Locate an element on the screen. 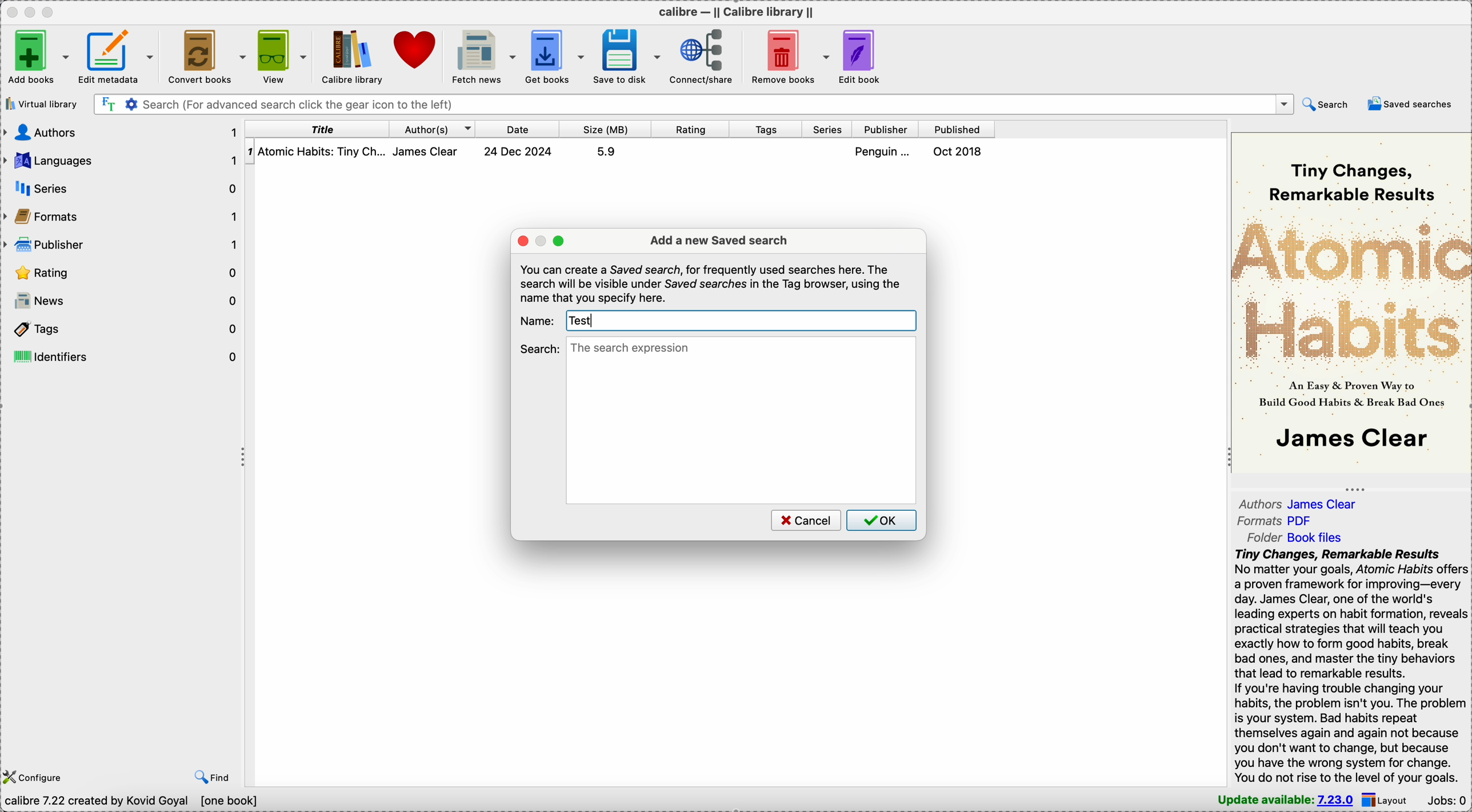 This screenshot has width=1472, height=812. 5.9 is located at coordinates (606, 151).